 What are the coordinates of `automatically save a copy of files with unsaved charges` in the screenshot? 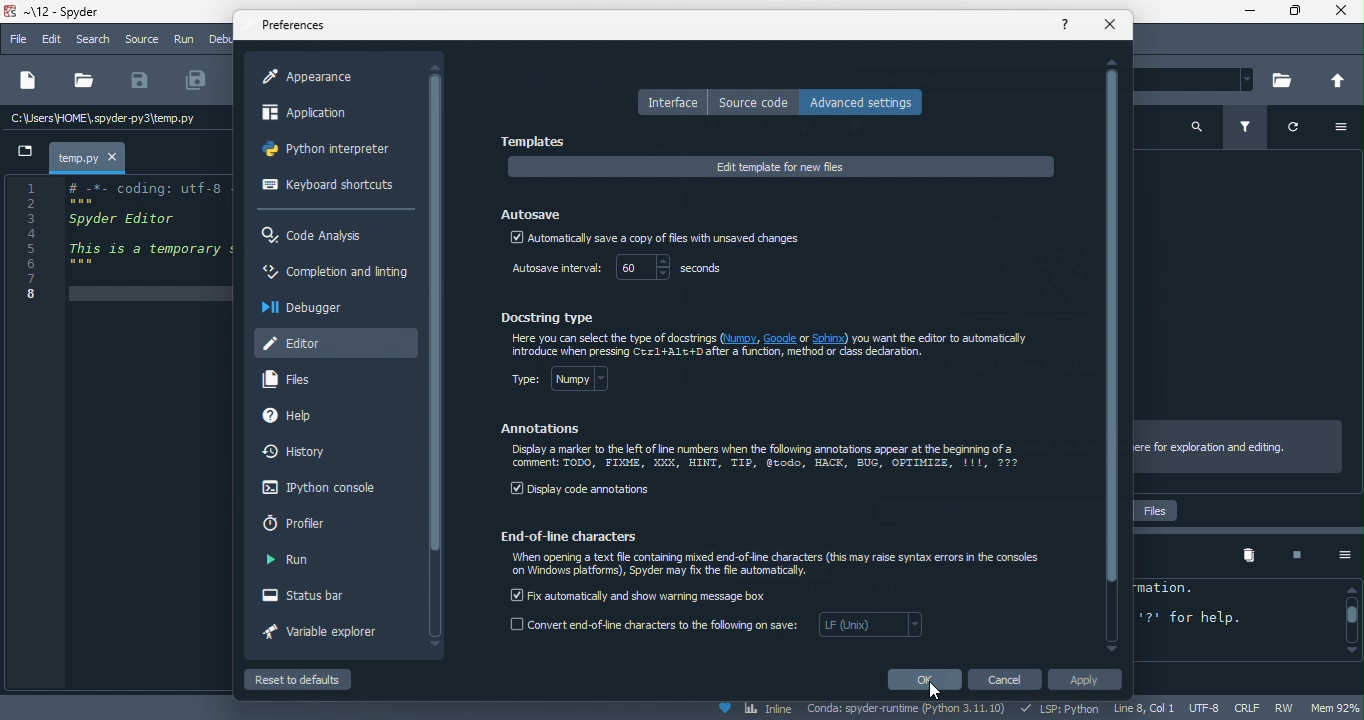 It's located at (654, 240).